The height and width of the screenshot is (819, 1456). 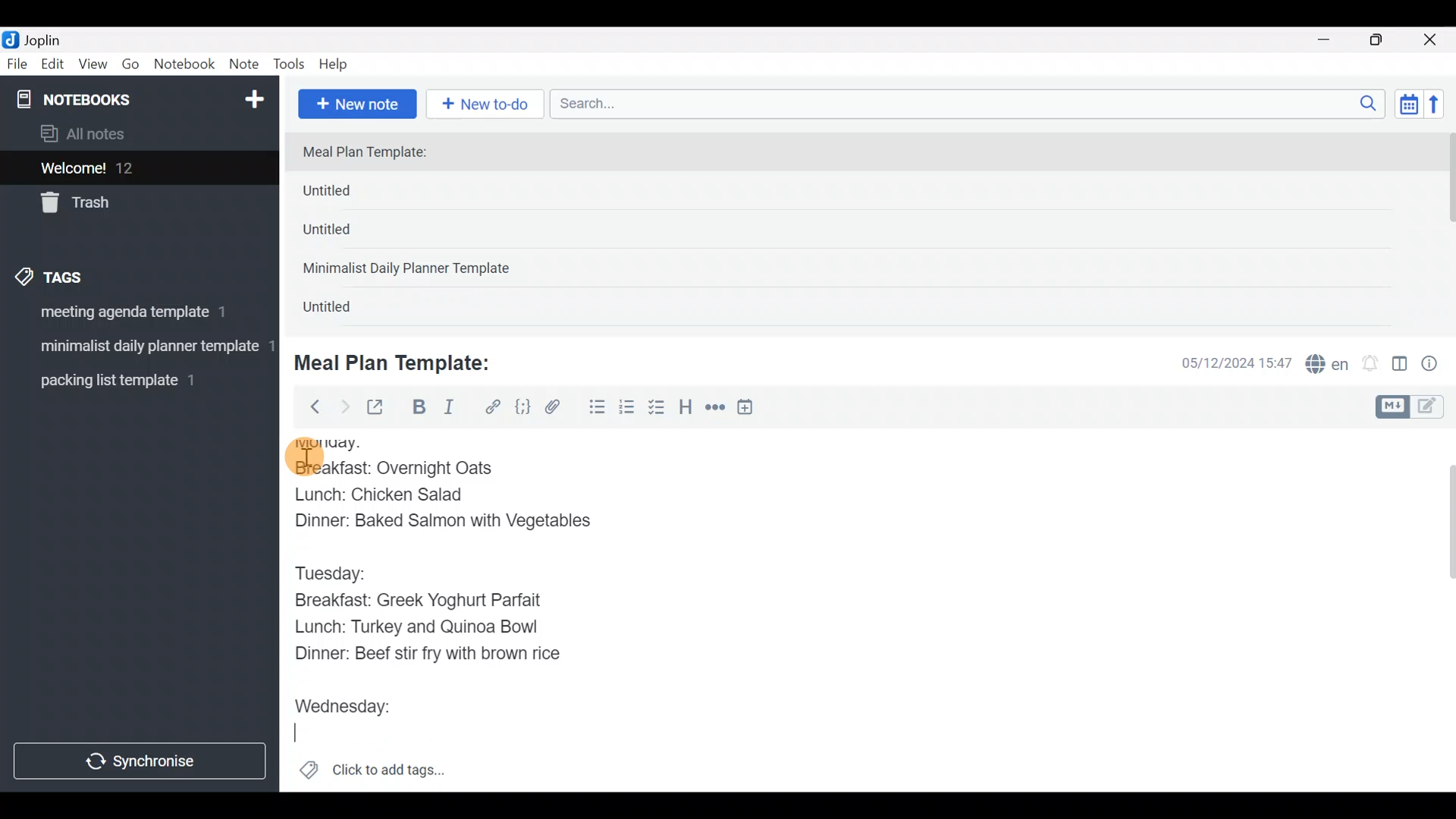 What do you see at coordinates (421, 626) in the screenshot?
I see `Lunch: Turkey and Quinoa Bowl` at bounding box center [421, 626].